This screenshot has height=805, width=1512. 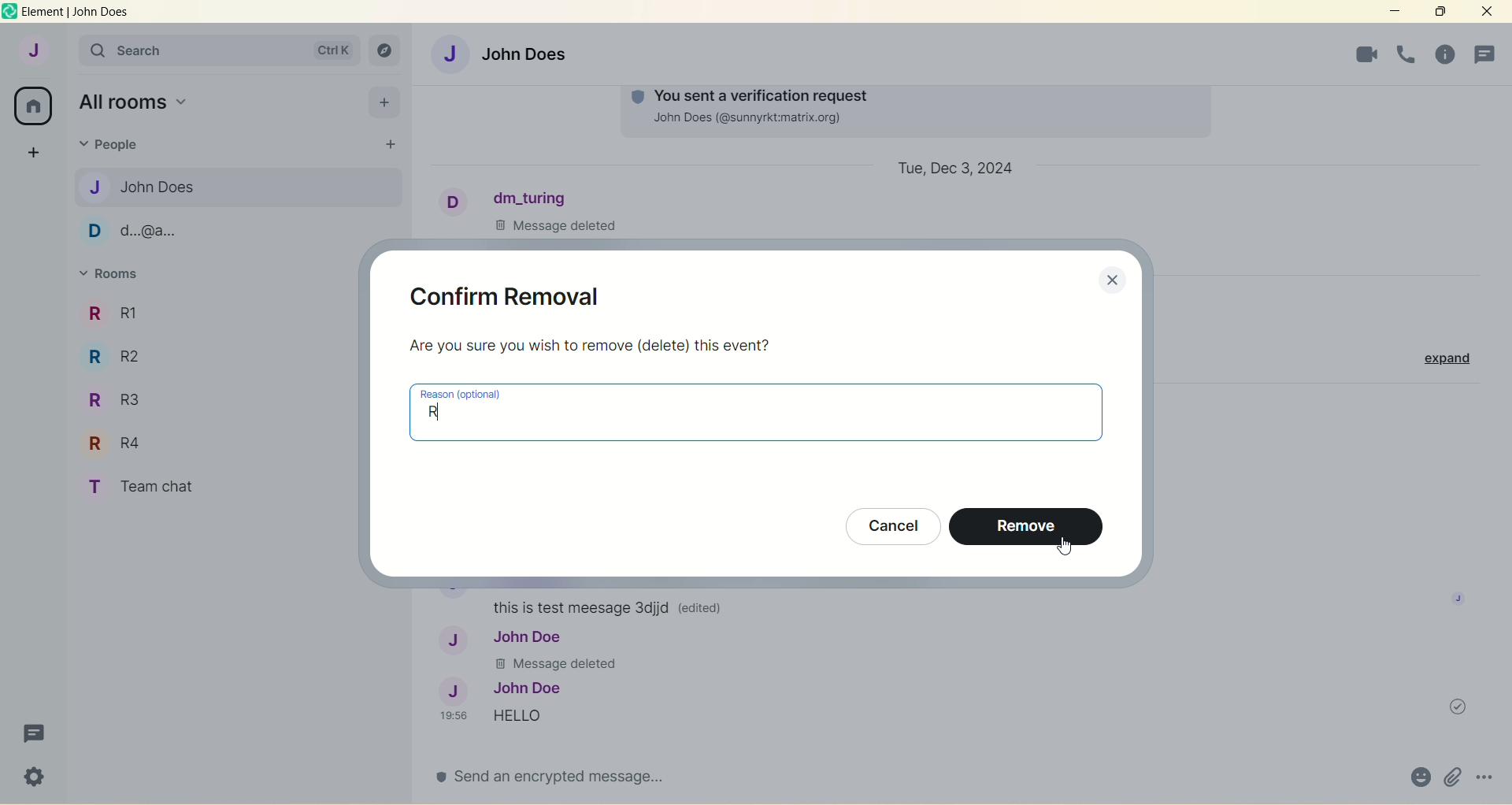 I want to click on Message Deleted, so click(x=564, y=225).